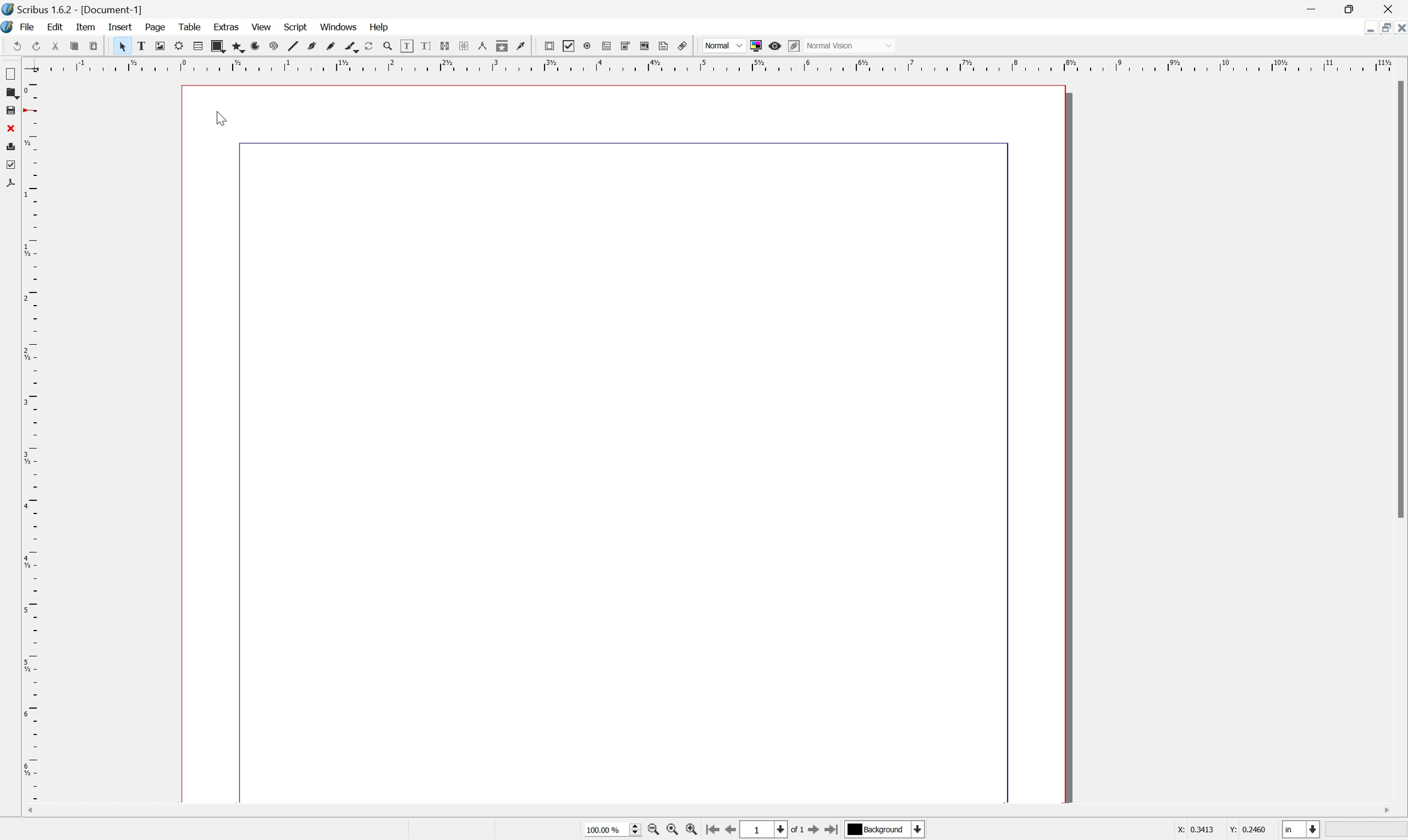 The height and width of the screenshot is (840, 1408). What do you see at coordinates (770, 830) in the screenshot?
I see `select current page` at bounding box center [770, 830].